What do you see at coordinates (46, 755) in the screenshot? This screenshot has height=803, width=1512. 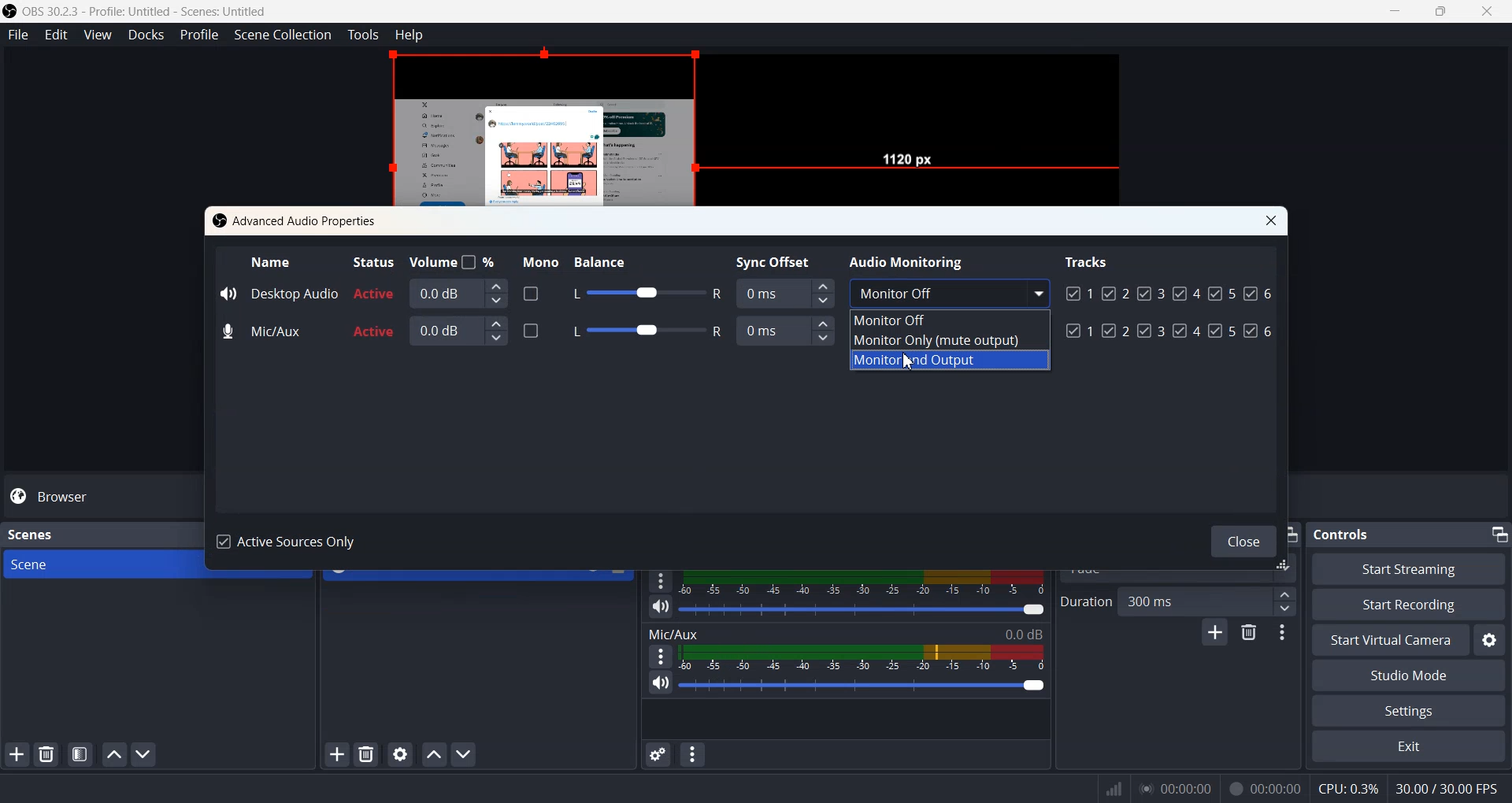 I see `Delete Selected Scene` at bounding box center [46, 755].